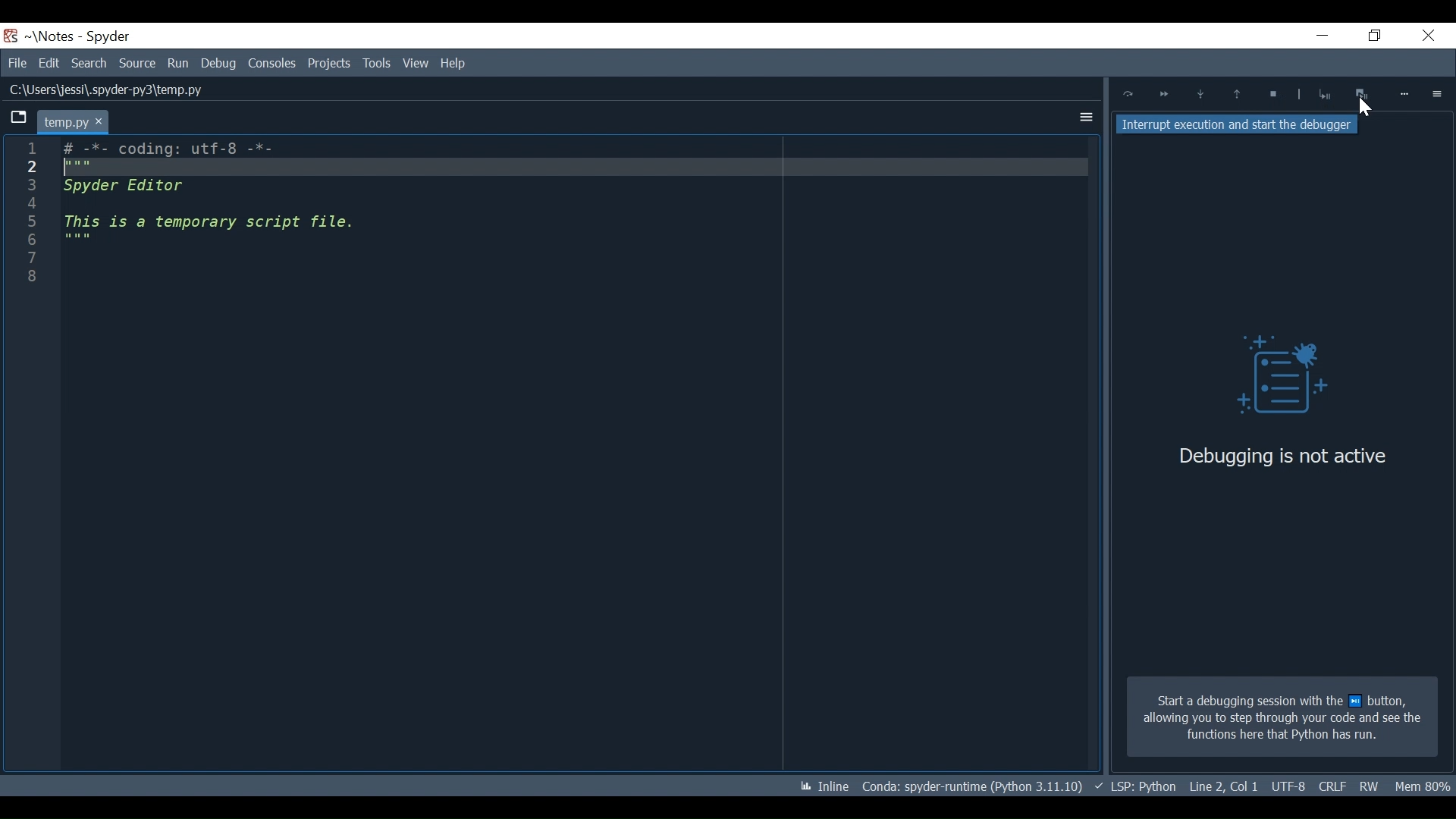  I want to click on Restore, so click(1370, 36).